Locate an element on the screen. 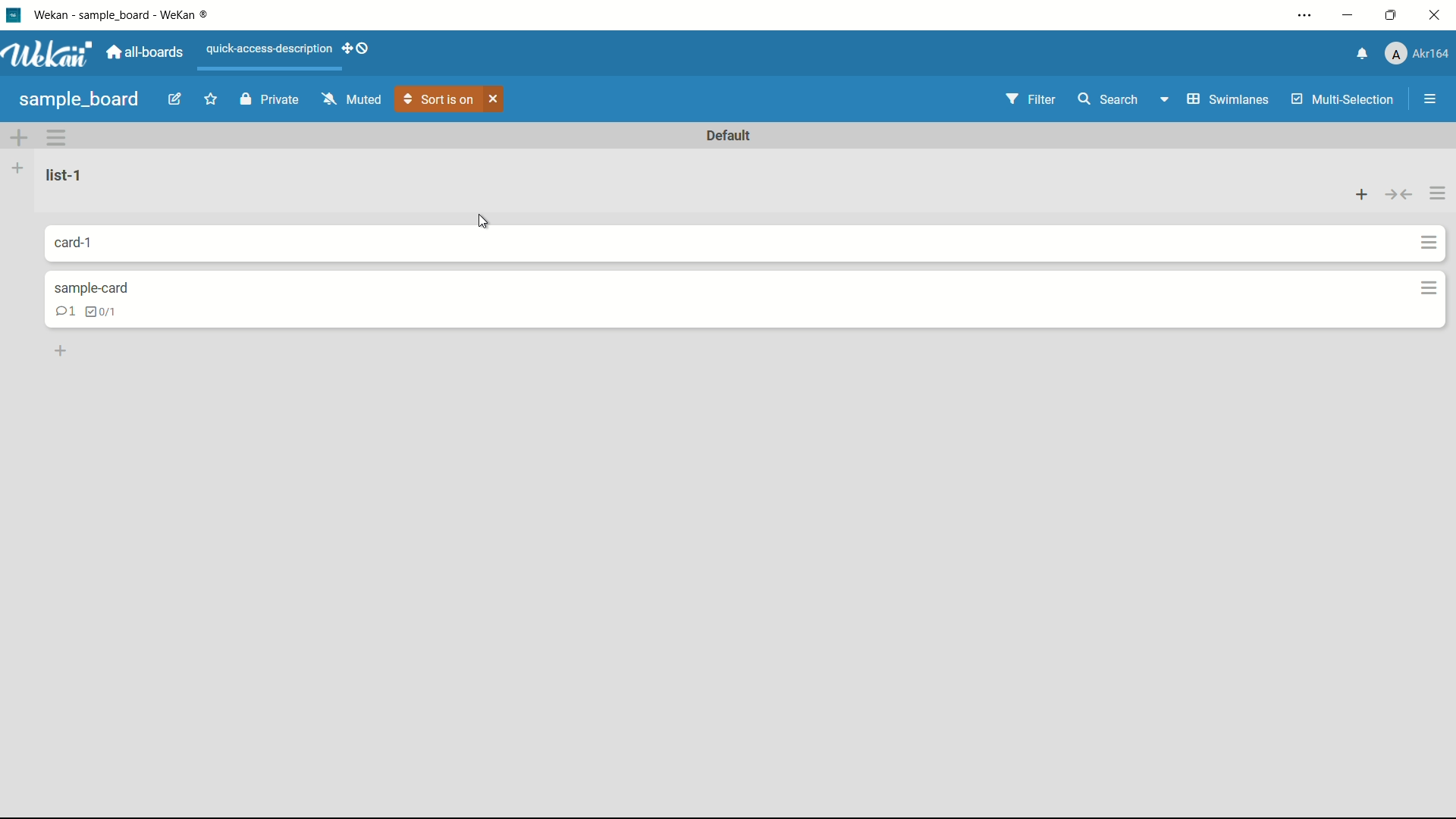 The image size is (1456, 819). all boards is located at coordinates (145, 53).